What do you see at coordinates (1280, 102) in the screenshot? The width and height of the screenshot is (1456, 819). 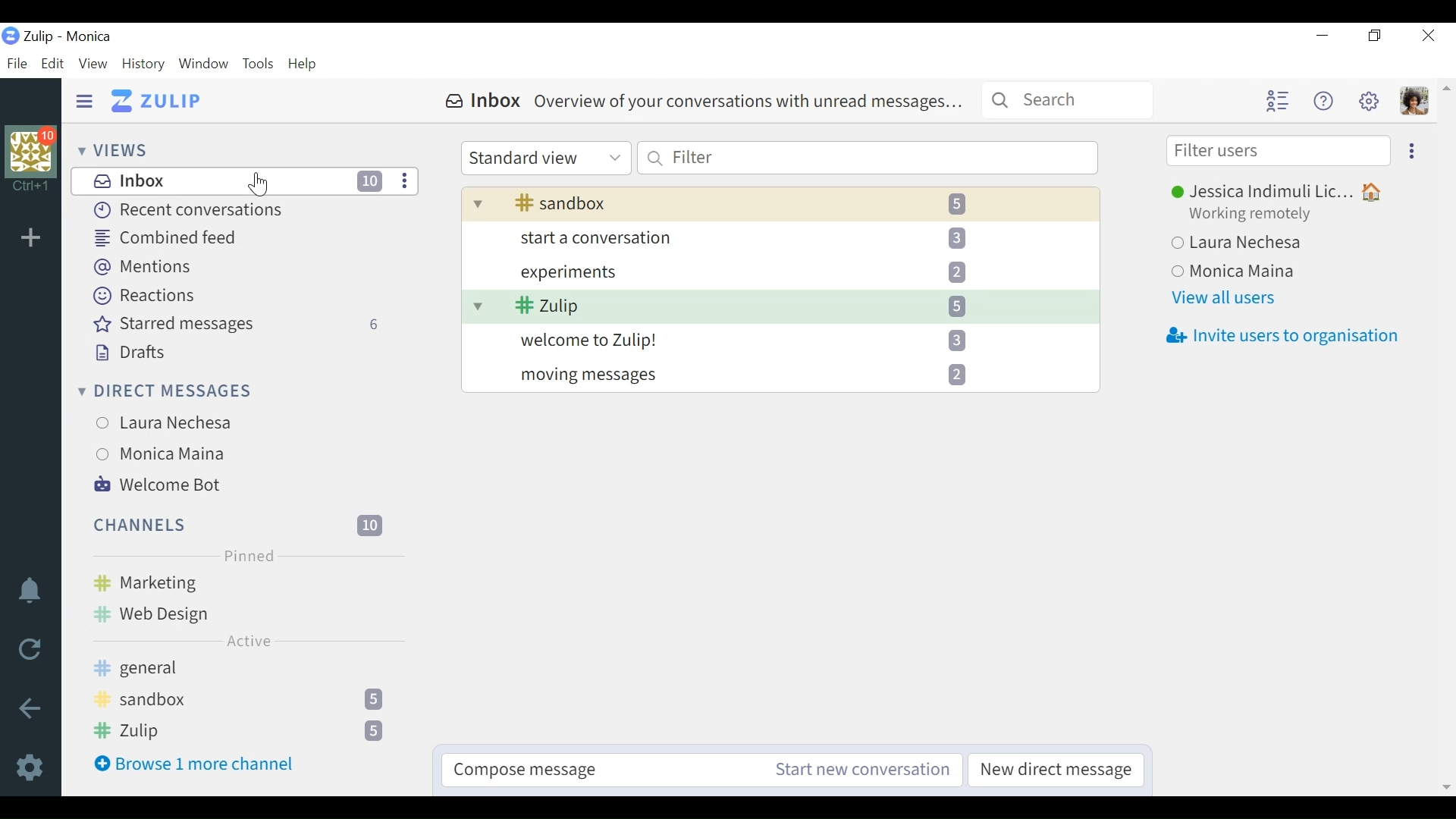 I see `Hide user list` at bounding box center [1280, 102].